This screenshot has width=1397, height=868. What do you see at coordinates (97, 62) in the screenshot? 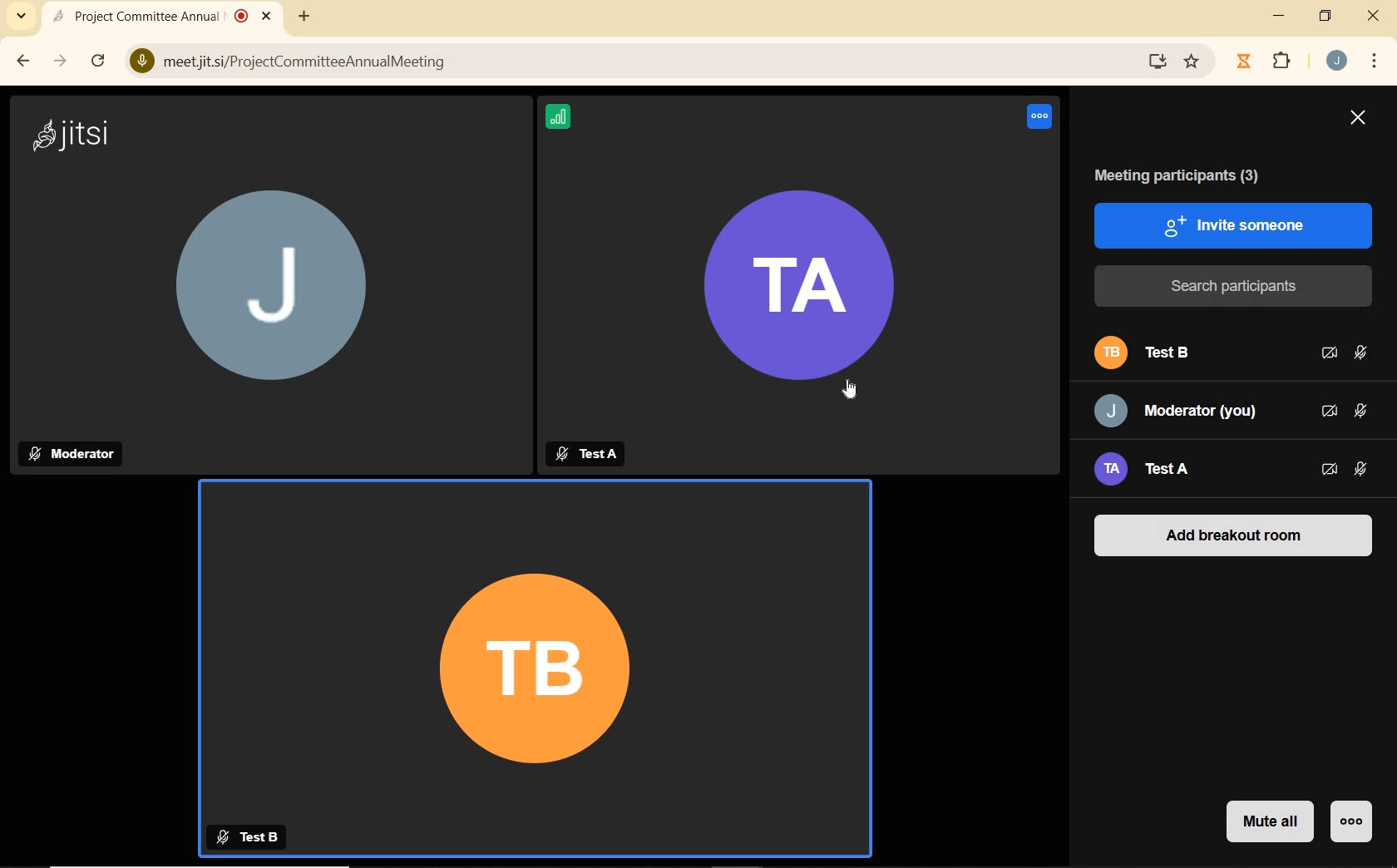
I see `RELOAD` at bounding box center [97, 62].